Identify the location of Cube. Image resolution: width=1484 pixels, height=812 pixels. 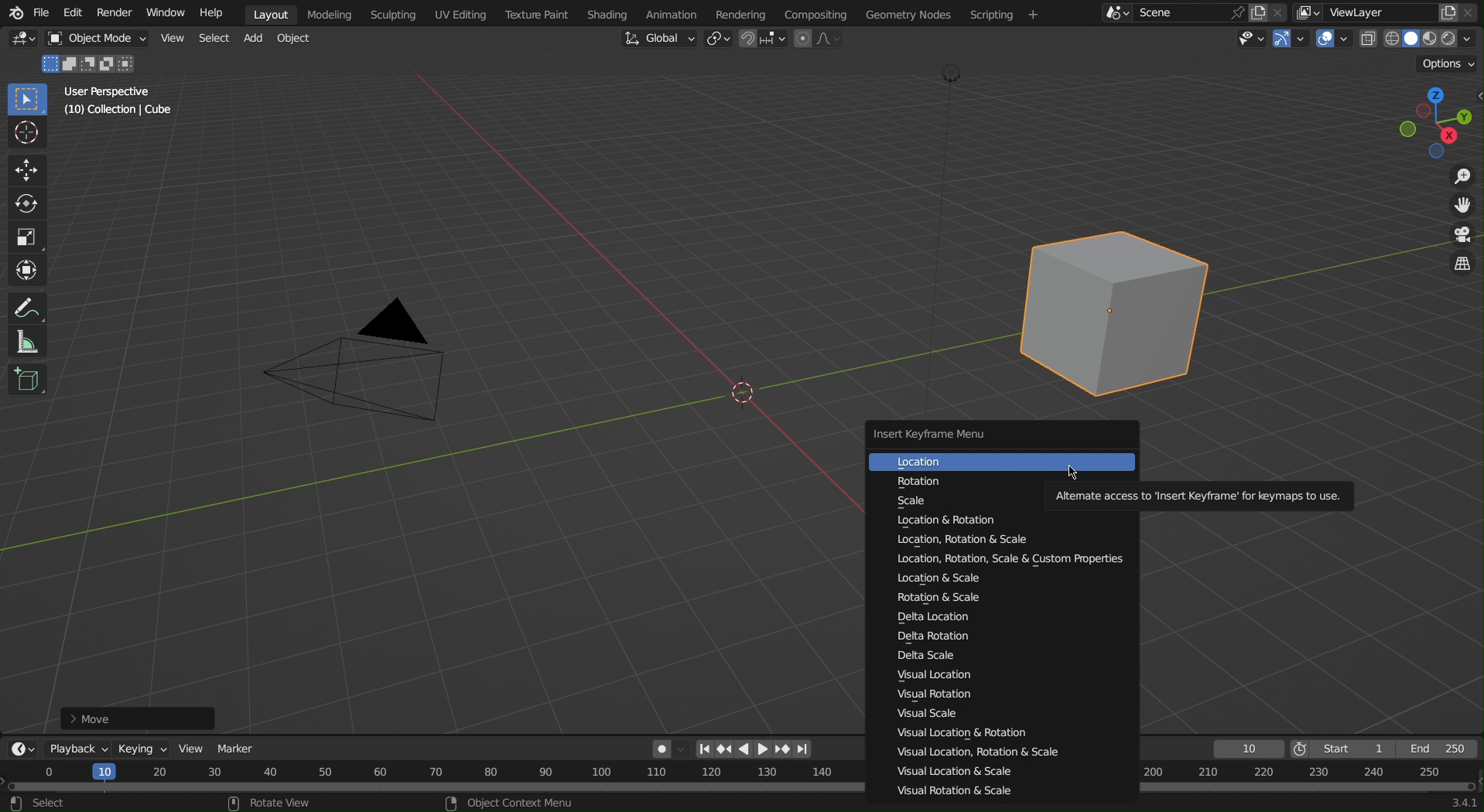
(1113, 308).